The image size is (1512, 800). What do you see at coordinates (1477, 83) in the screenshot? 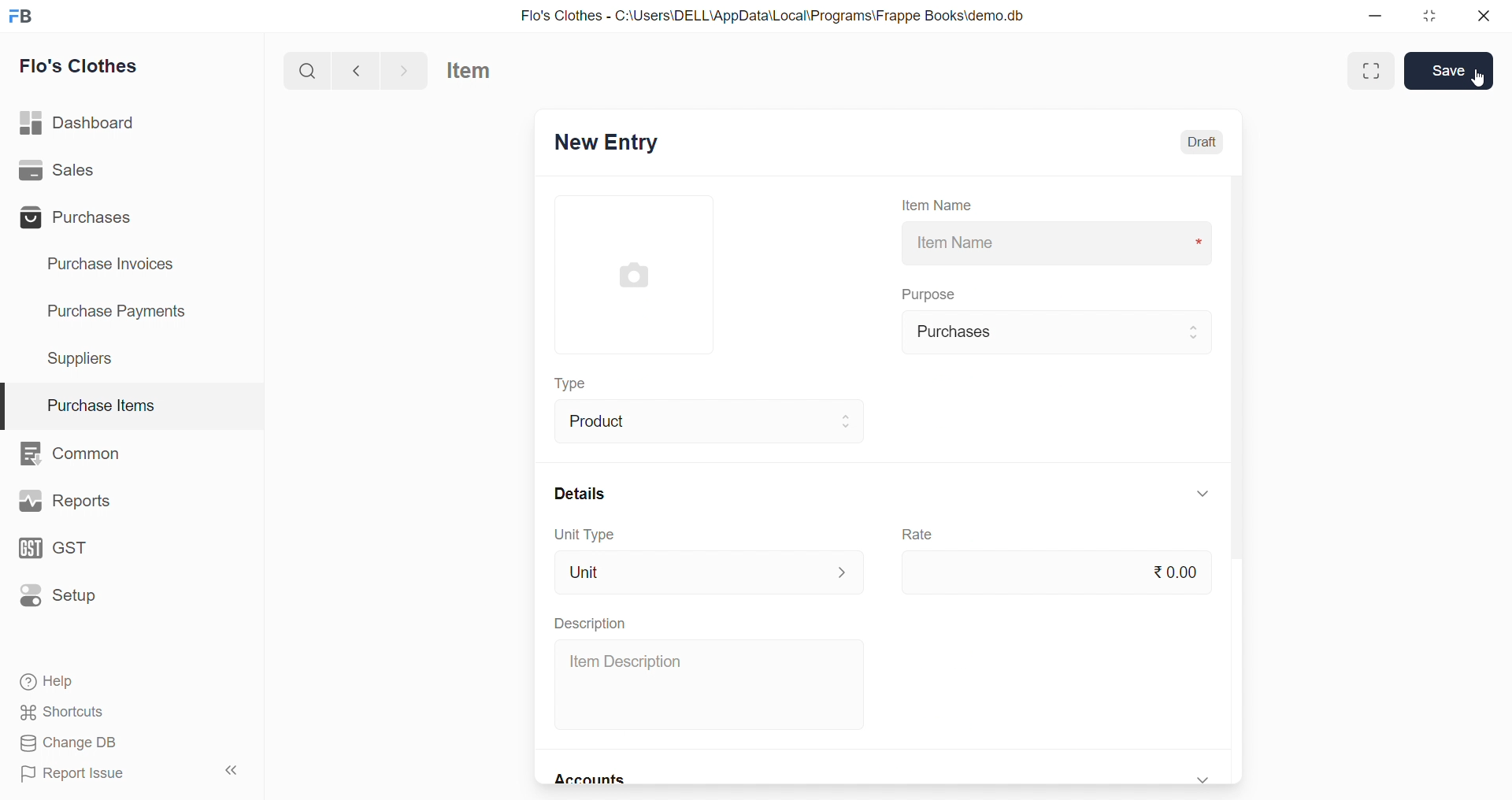
I see `cursor` at bounding box center [1477, 83].